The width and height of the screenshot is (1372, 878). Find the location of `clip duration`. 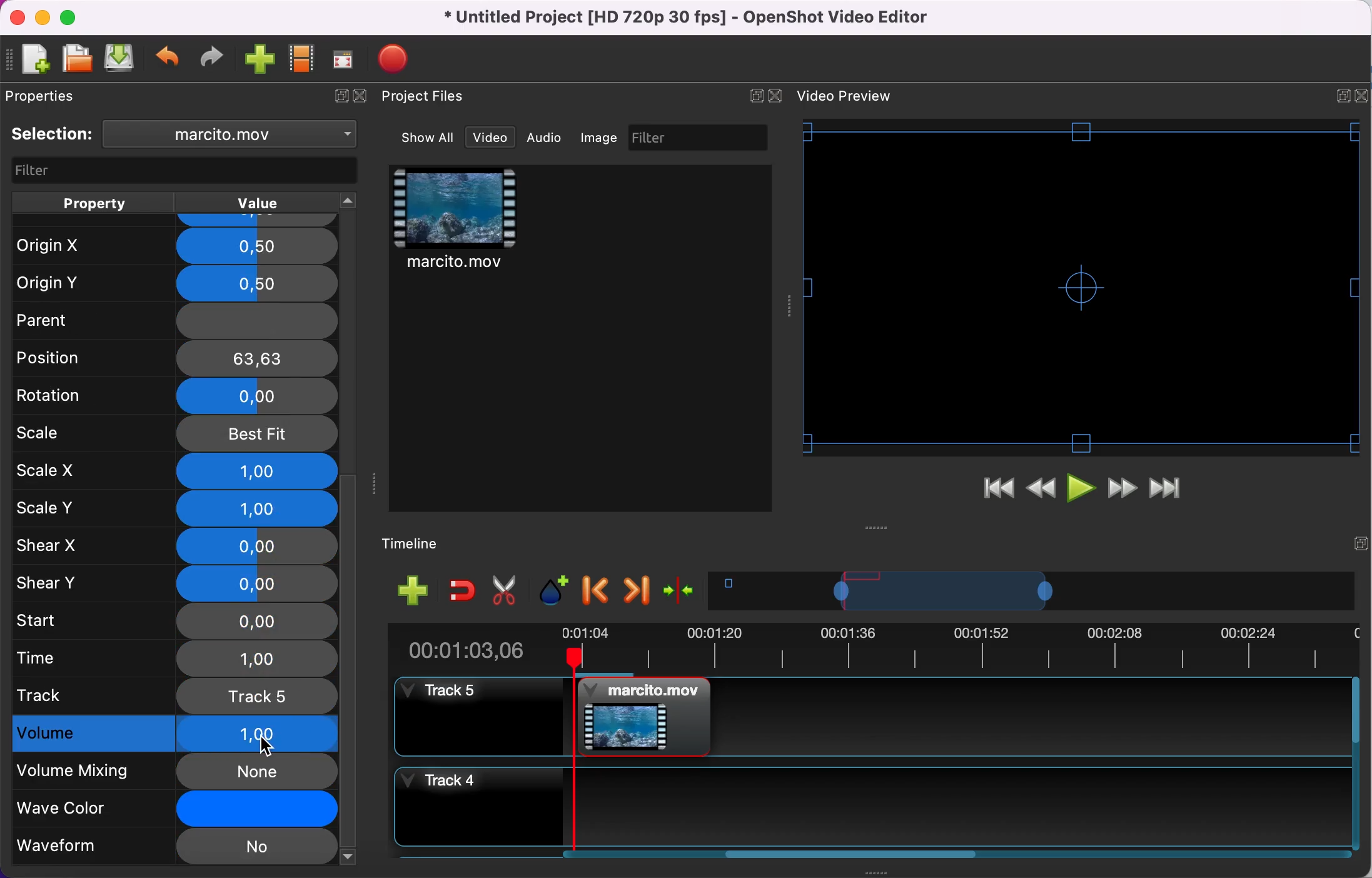

clip duration is located at coordinates (864, 648).